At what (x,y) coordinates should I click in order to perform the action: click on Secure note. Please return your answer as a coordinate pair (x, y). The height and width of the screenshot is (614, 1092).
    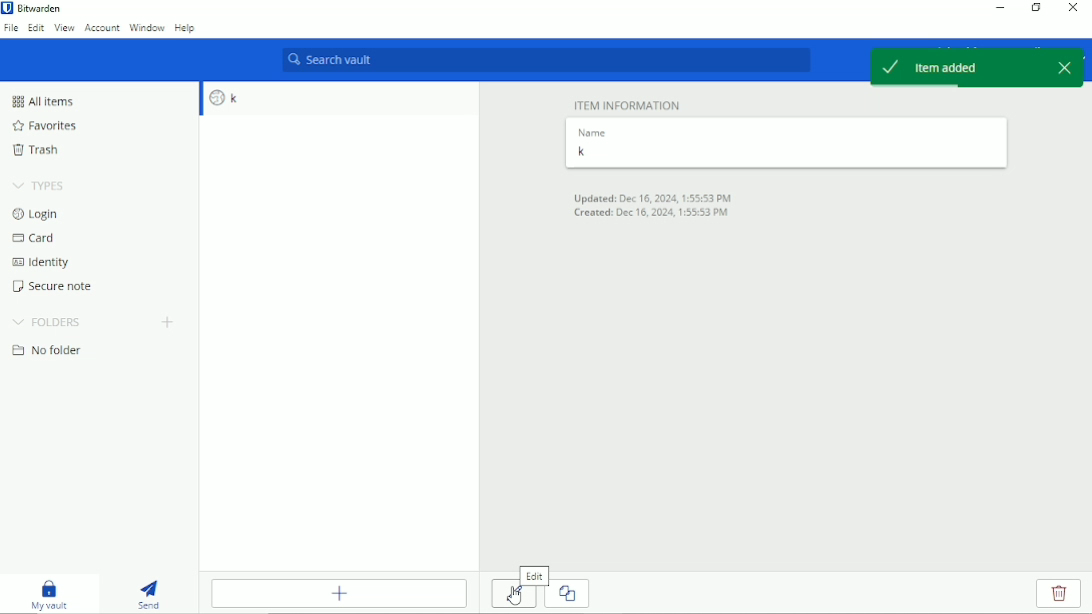
    Looking at the image, I should click on (50, 286).